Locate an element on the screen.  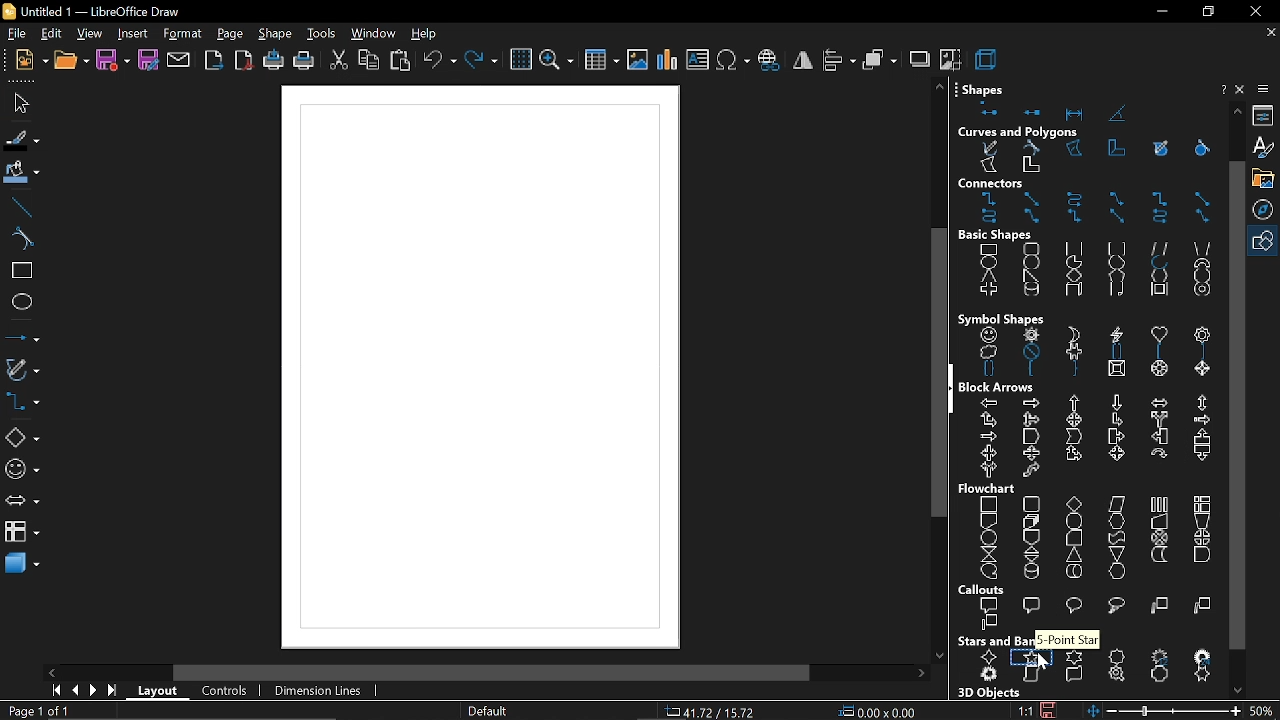
block arrows is located at coordinates (1094, 436).